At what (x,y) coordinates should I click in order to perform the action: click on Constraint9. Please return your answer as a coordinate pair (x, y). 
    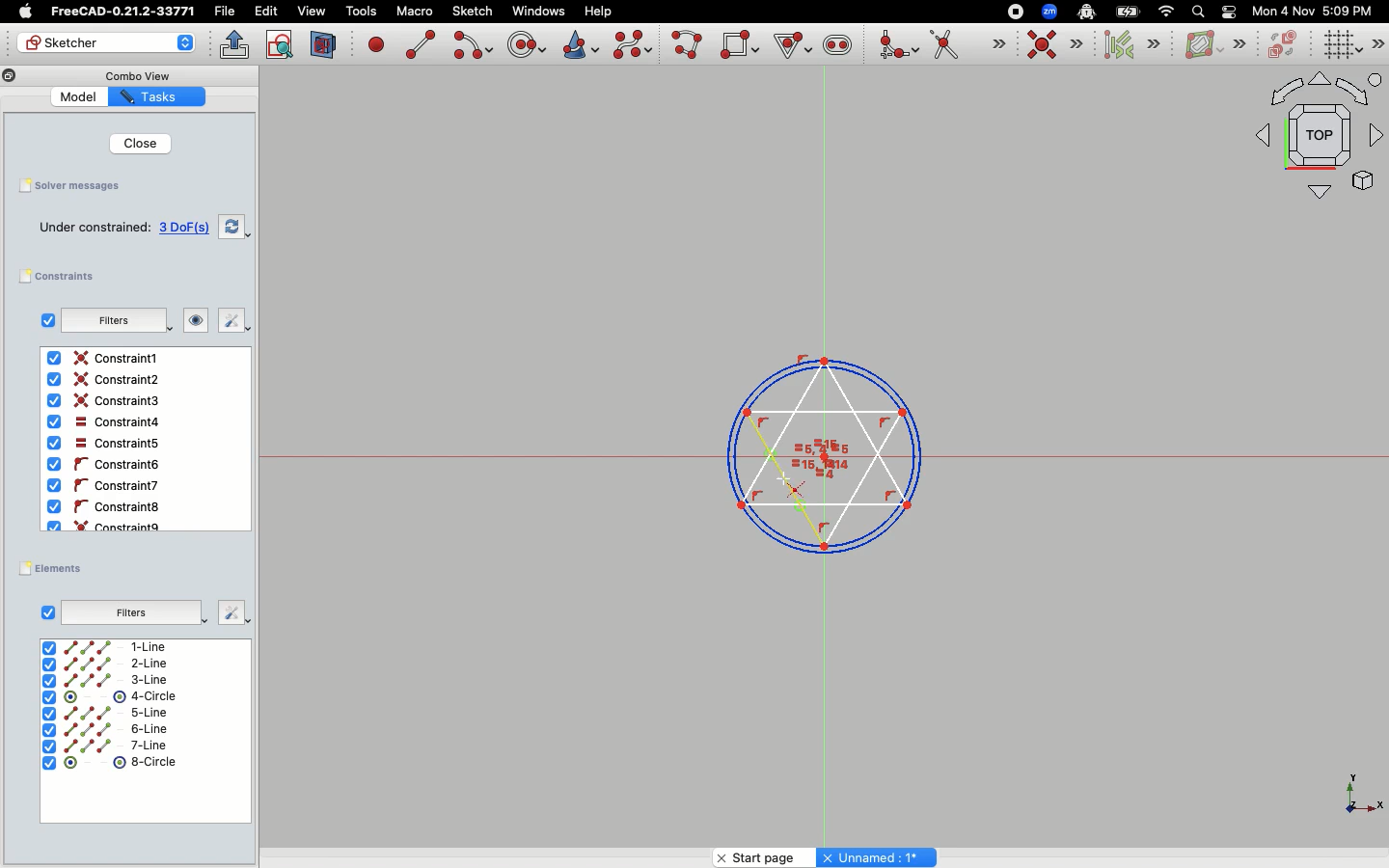
    Looking at the image, I should click on (109, 525).